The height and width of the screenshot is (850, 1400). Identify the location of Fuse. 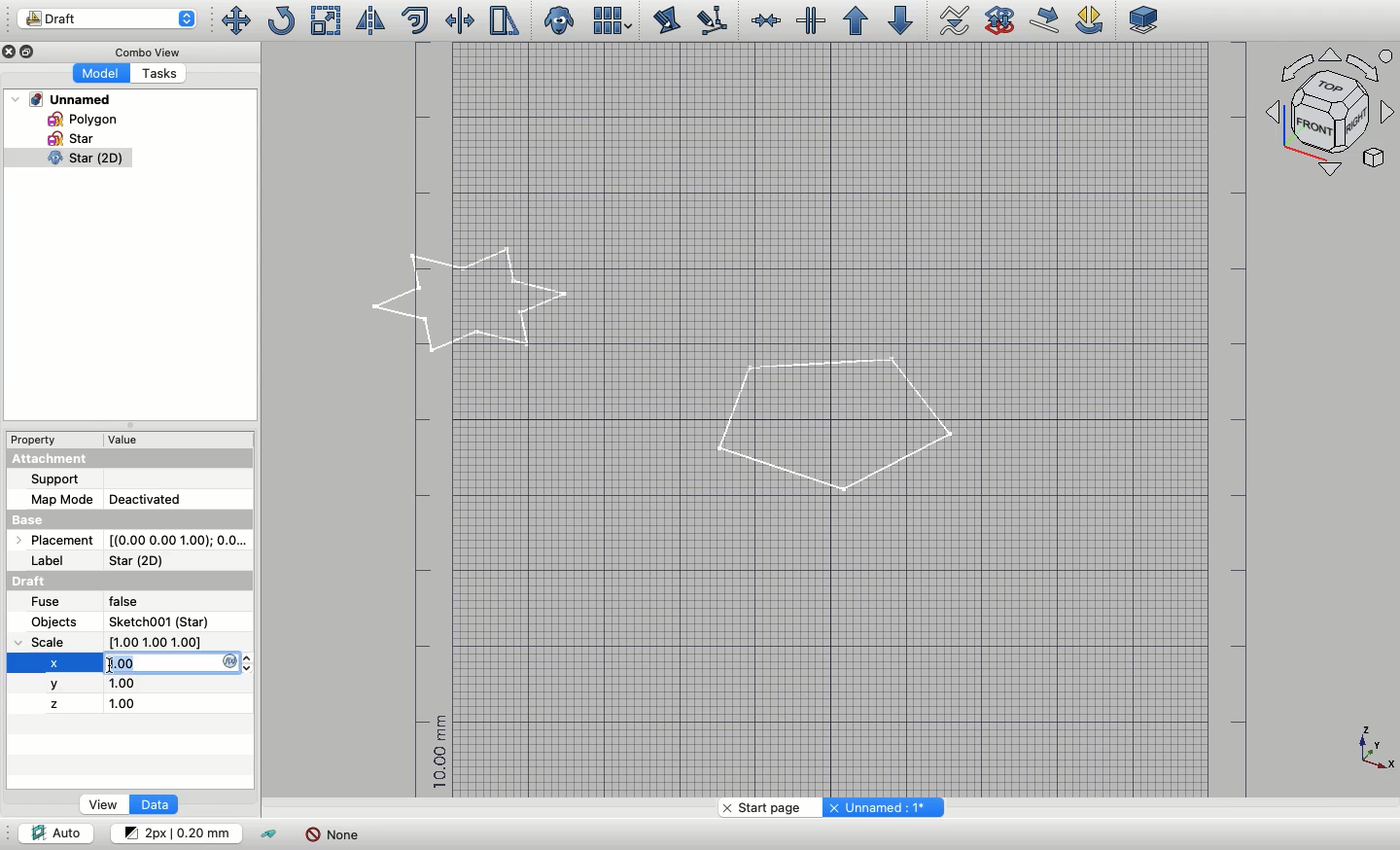
(47, 602).